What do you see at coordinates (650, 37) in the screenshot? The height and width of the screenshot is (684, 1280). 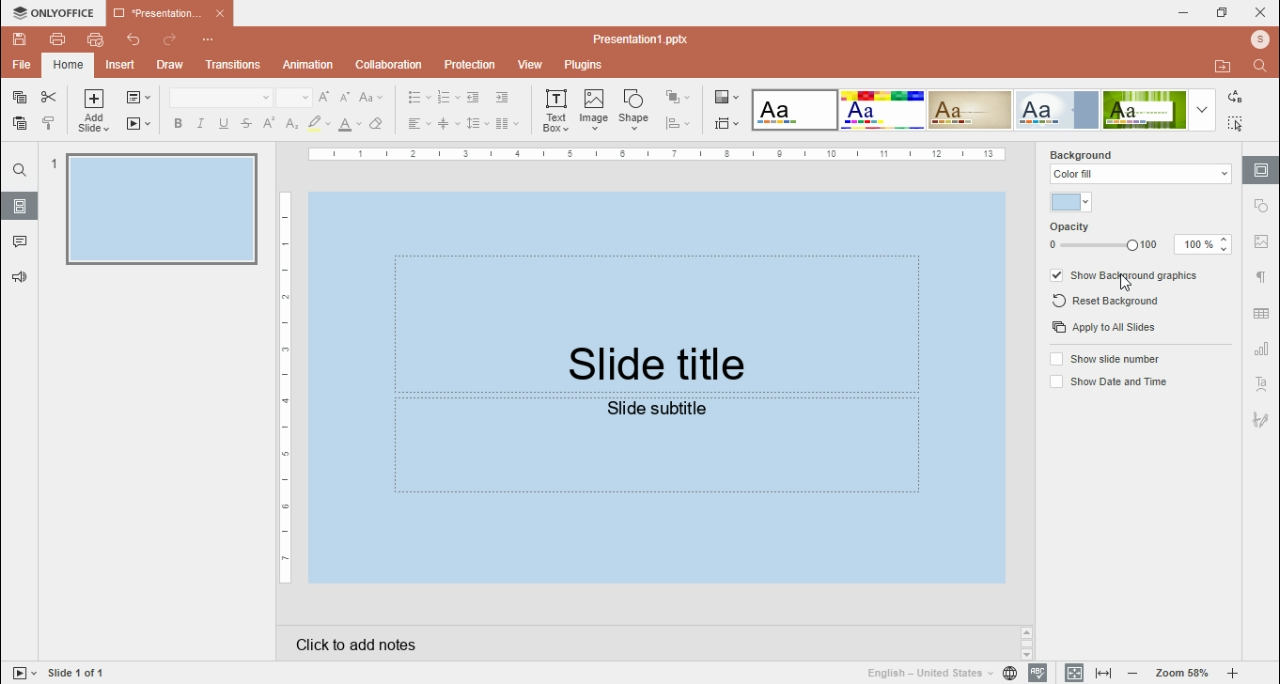 I see `file name` at bounding box center [650, 37].